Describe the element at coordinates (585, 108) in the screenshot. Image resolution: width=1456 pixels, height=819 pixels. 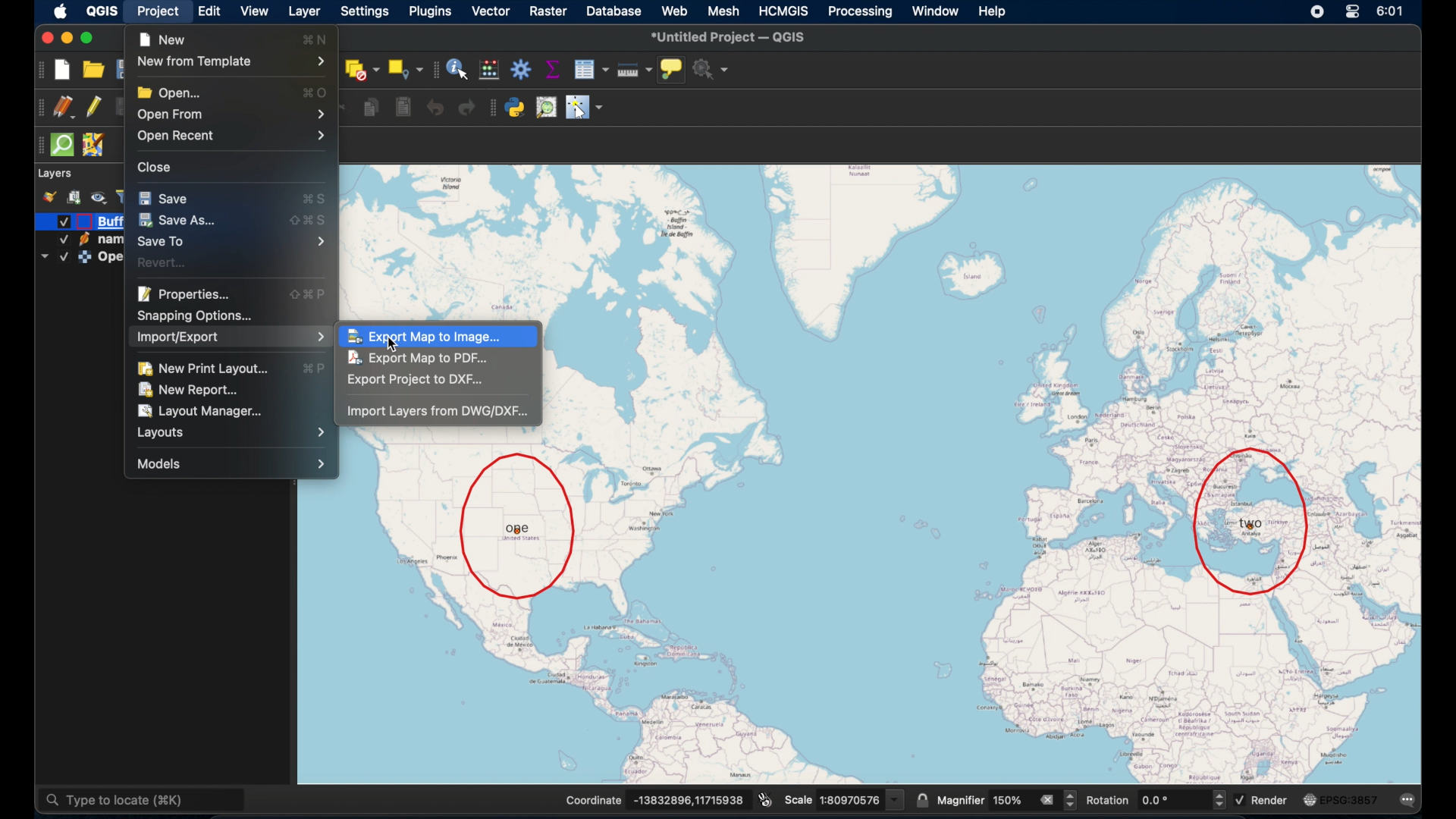
I see `switches mouse to configurable pointer` at that location.